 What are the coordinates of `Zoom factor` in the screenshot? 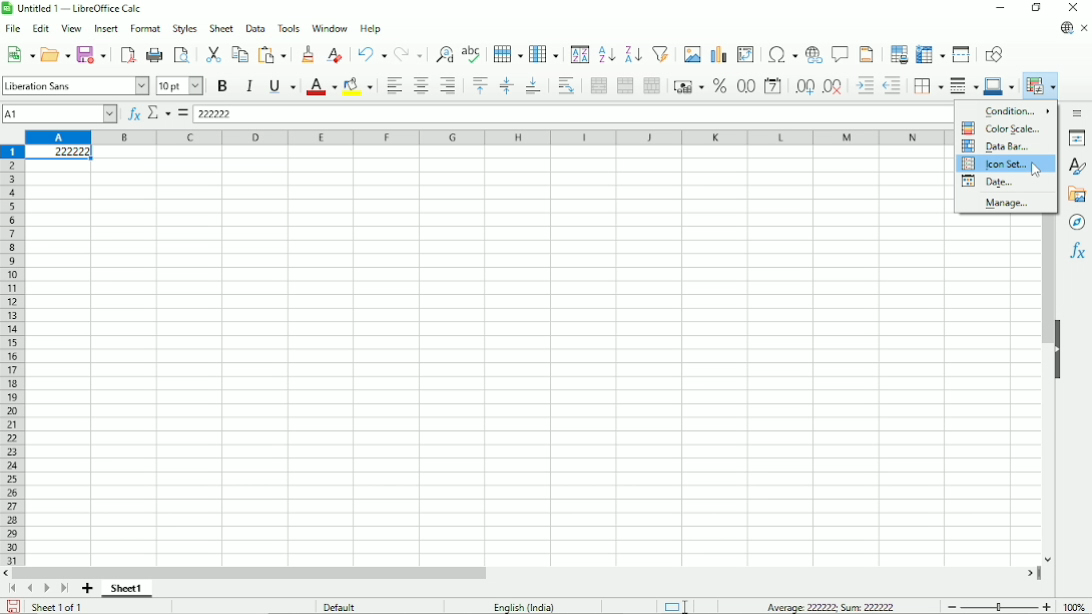 It's located at (1074, 606).